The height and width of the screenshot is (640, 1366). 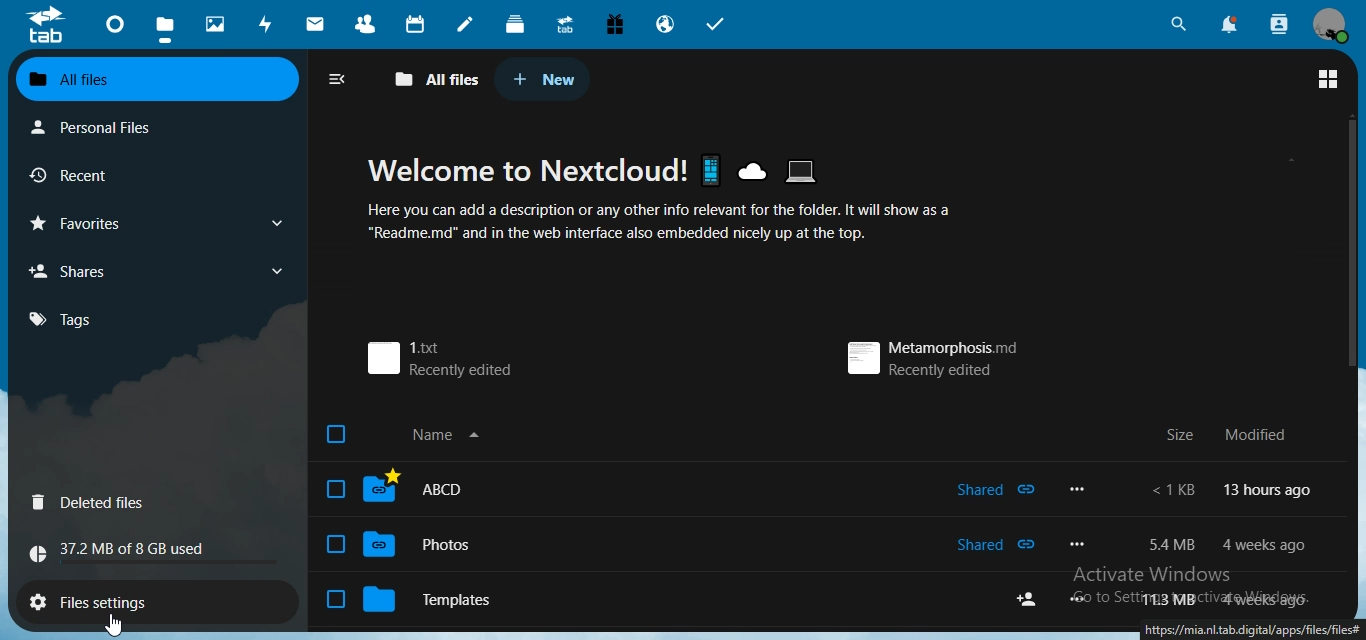 I want to click on text, so click(x=134, y=551).